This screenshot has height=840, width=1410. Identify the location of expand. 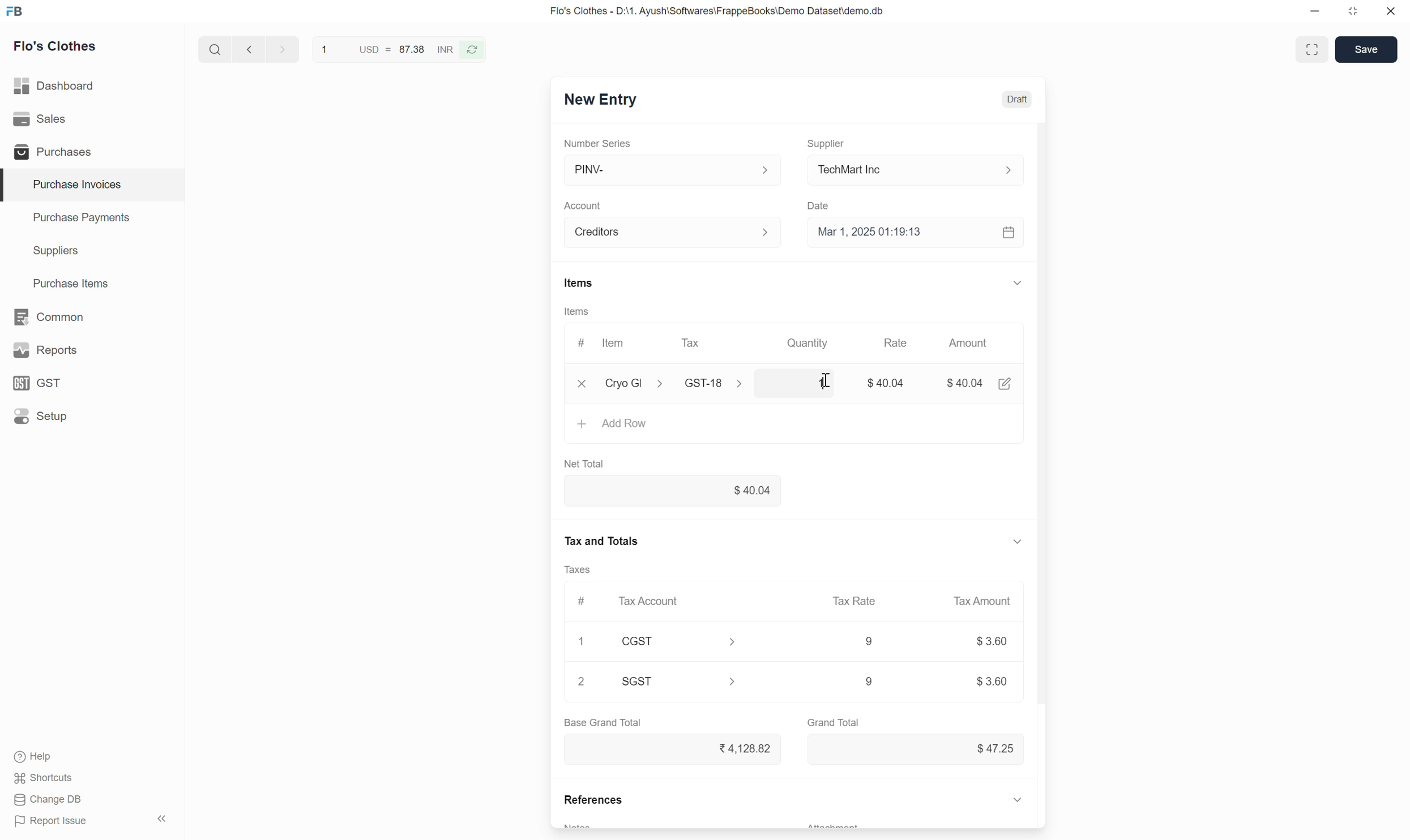
(1019, 799).